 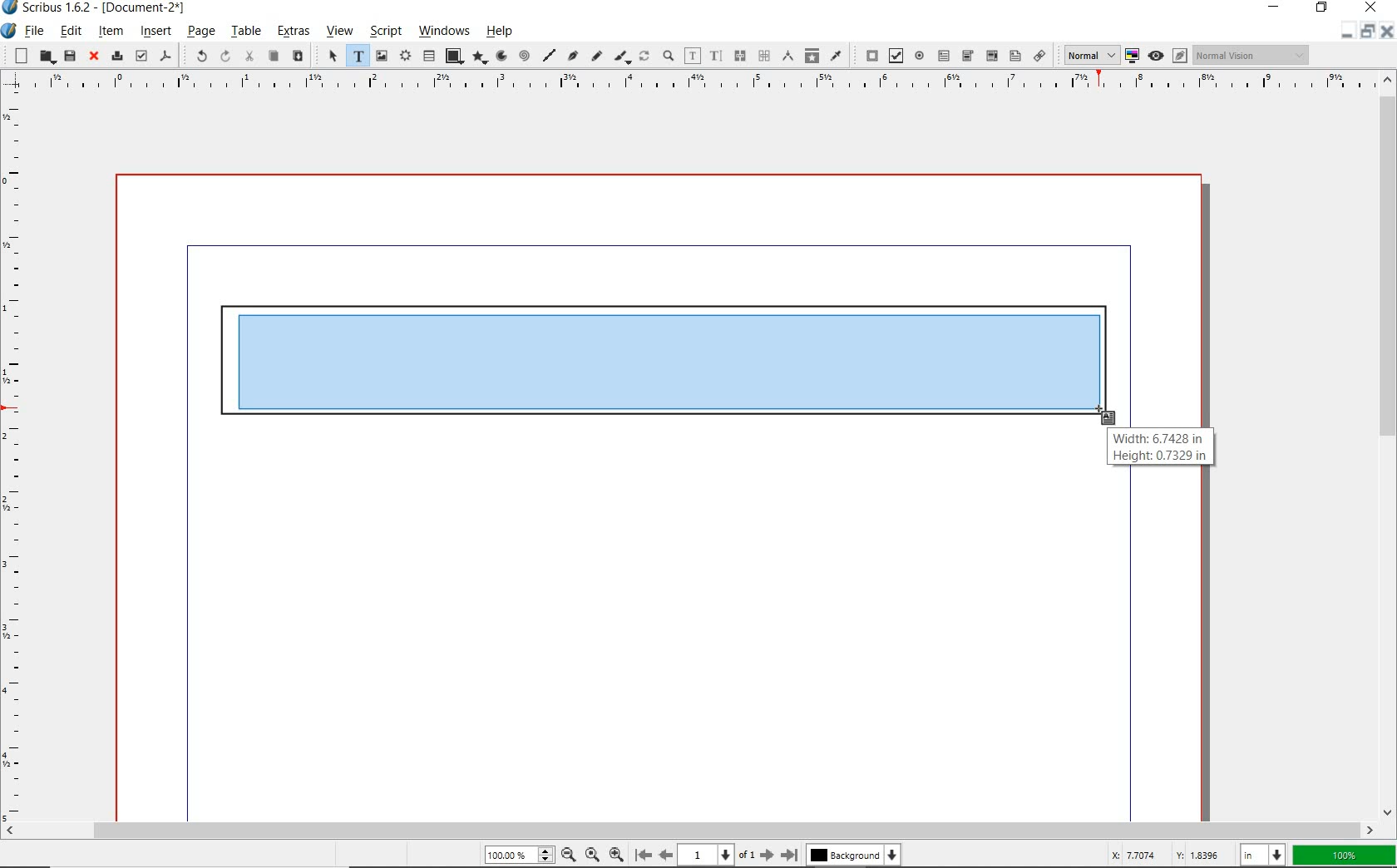 What do you see at coordinates (246, 31) in the screenshot?
I see `table` at bounding box center [246, 31].